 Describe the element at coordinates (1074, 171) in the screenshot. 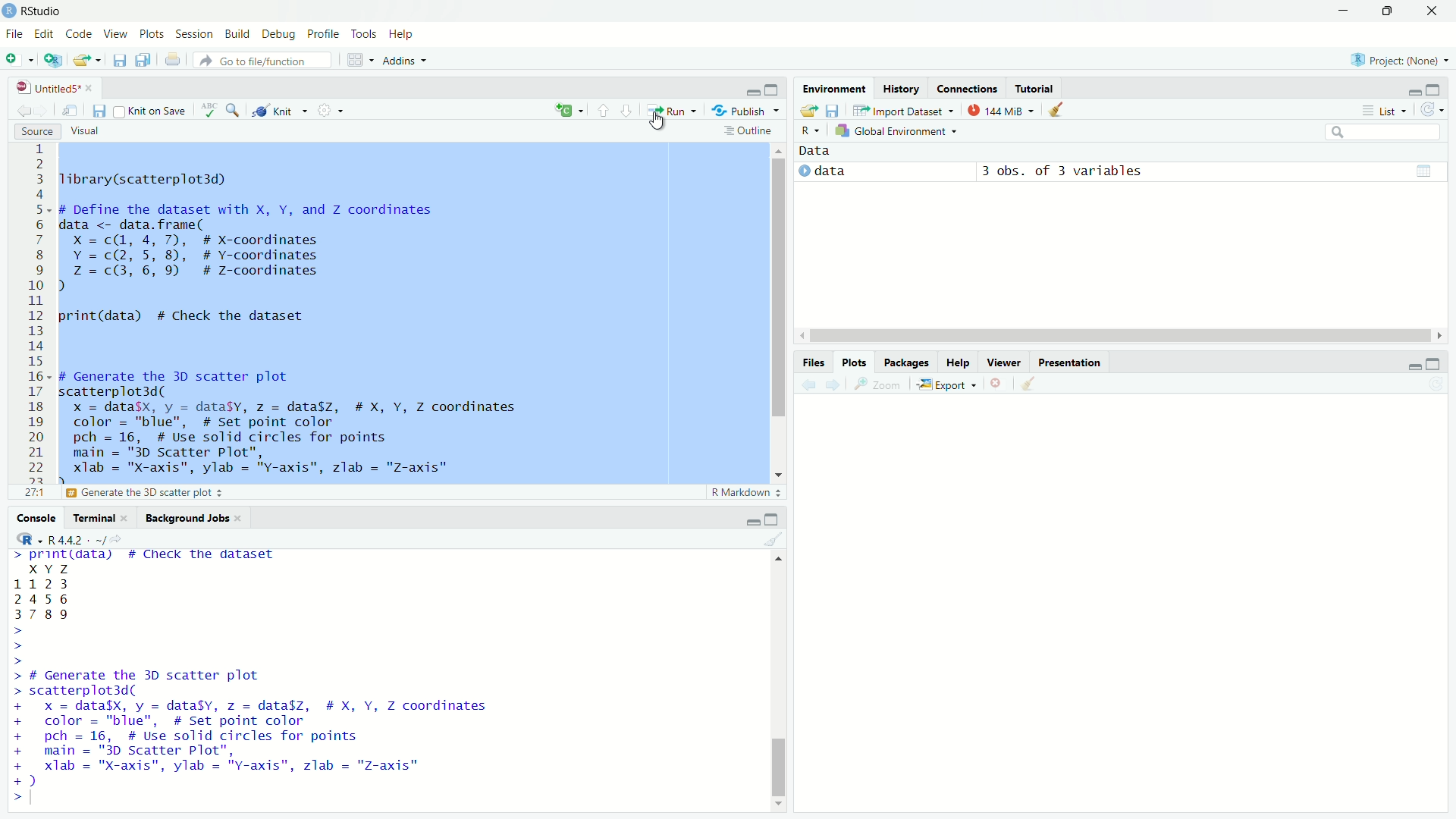

I see `3 obs. of 3 variables` at that location.